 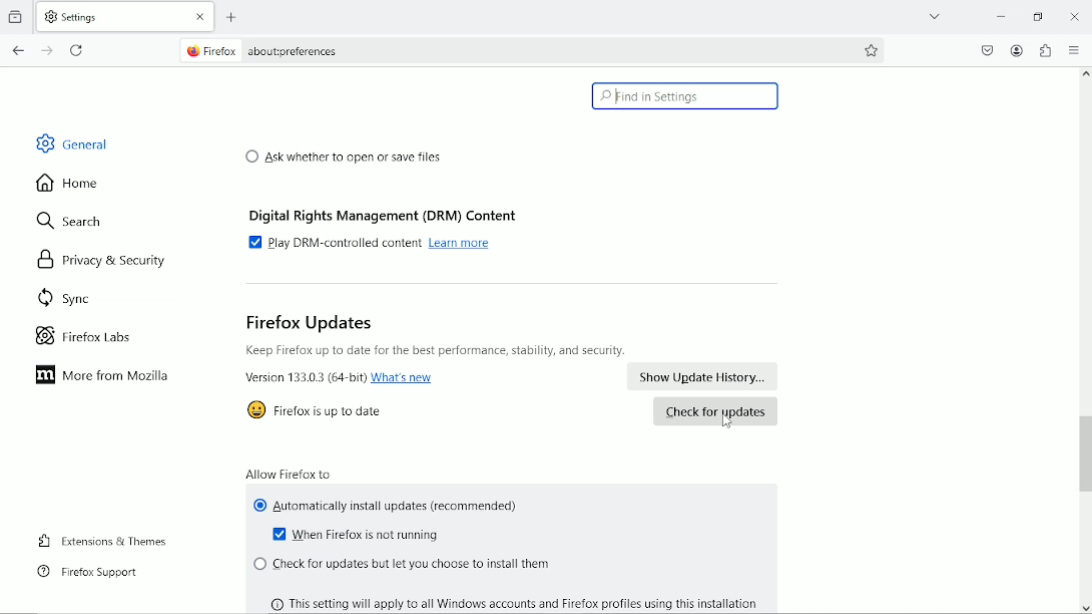 What do you see at coordinates (360, 536) in the screenshot?
I see `When Firefox is not running` at bounding box center [360, 536].